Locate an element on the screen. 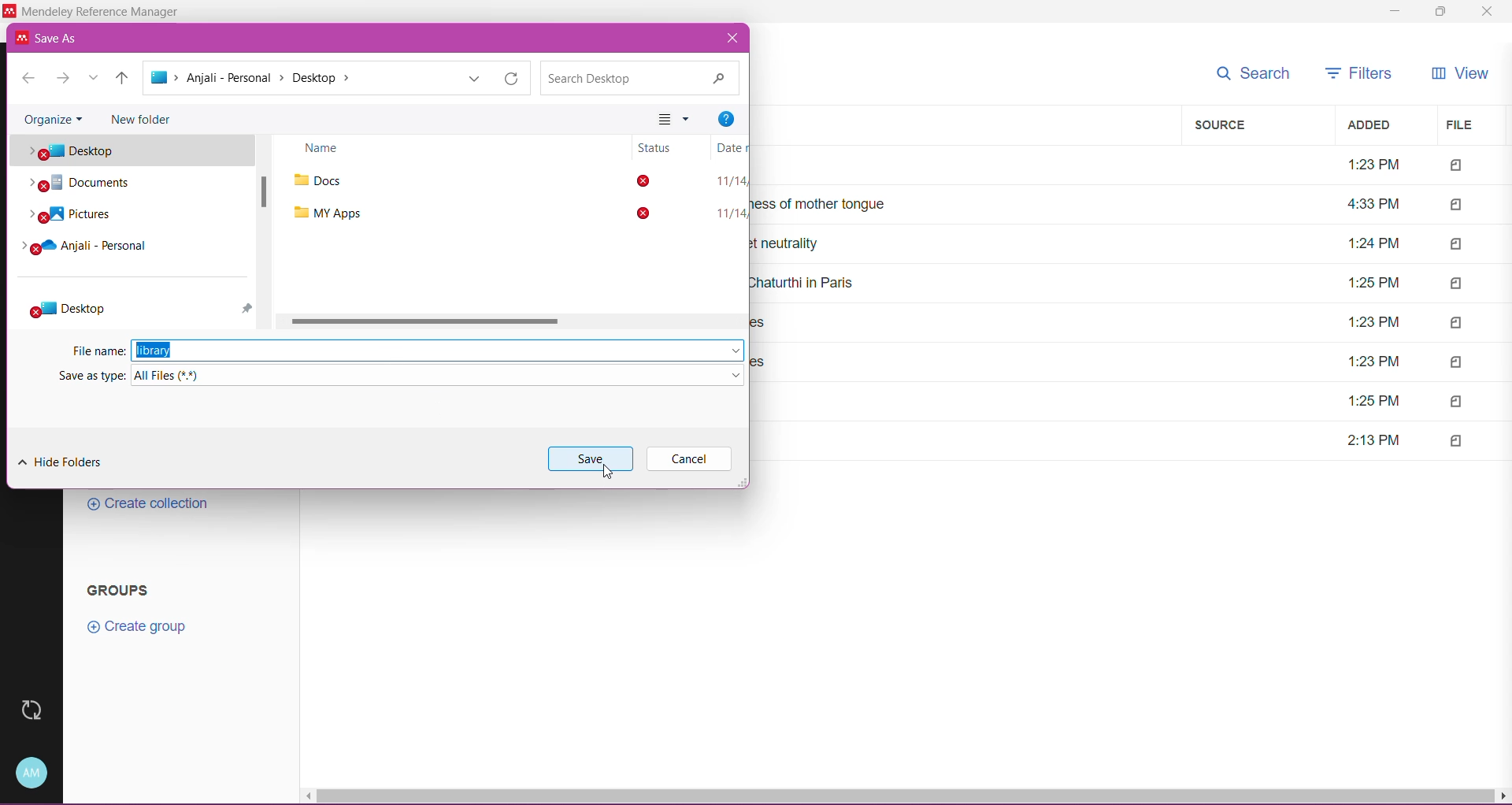 The width and height of the screenshot is (1512, 805). Date is located at coordinates (728, 147).